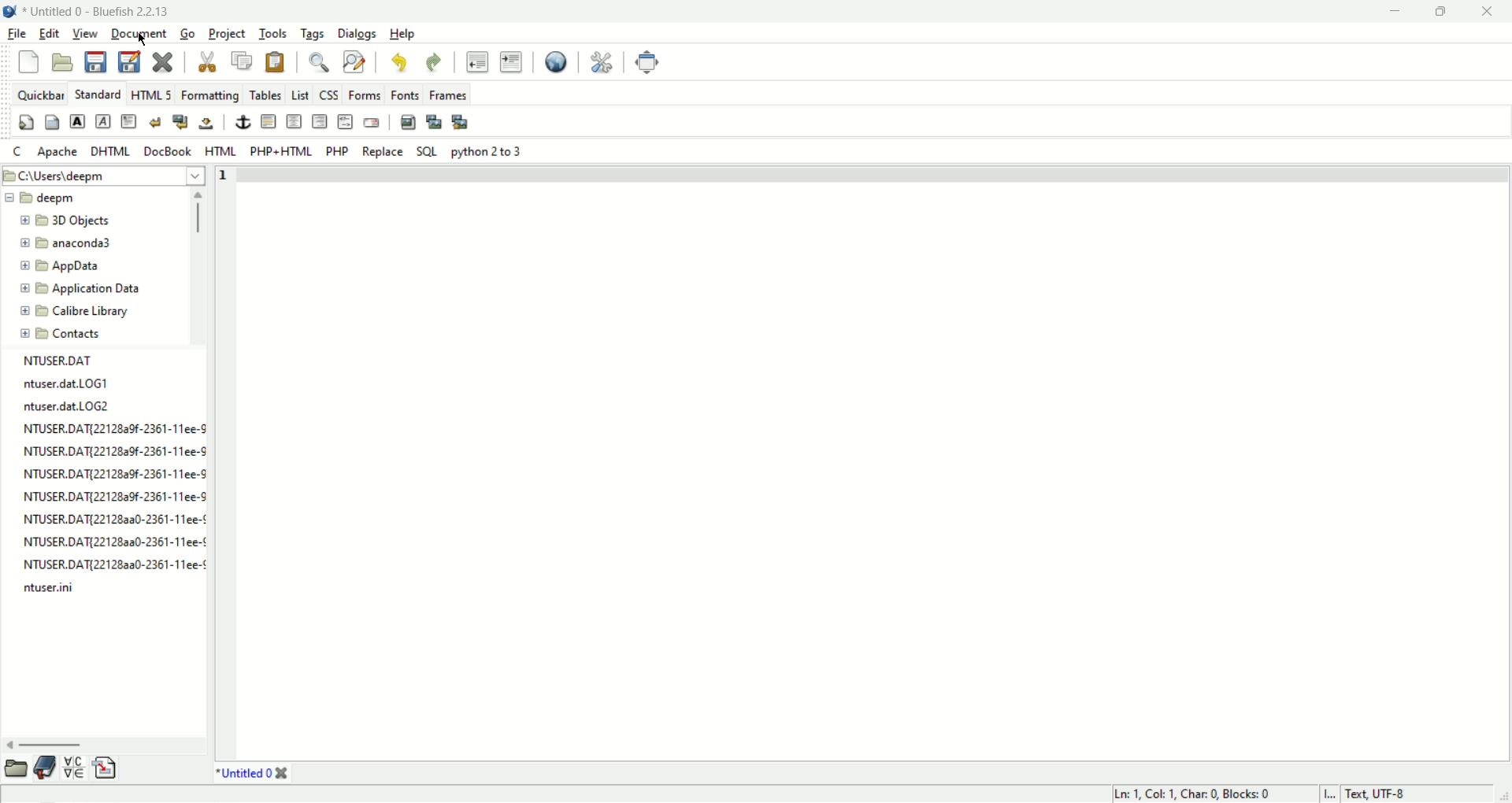 This screenshot has height=803, width=1512. Describe the element at coordinates (318, 121) in the screenshot. I see `right justify` at that location.